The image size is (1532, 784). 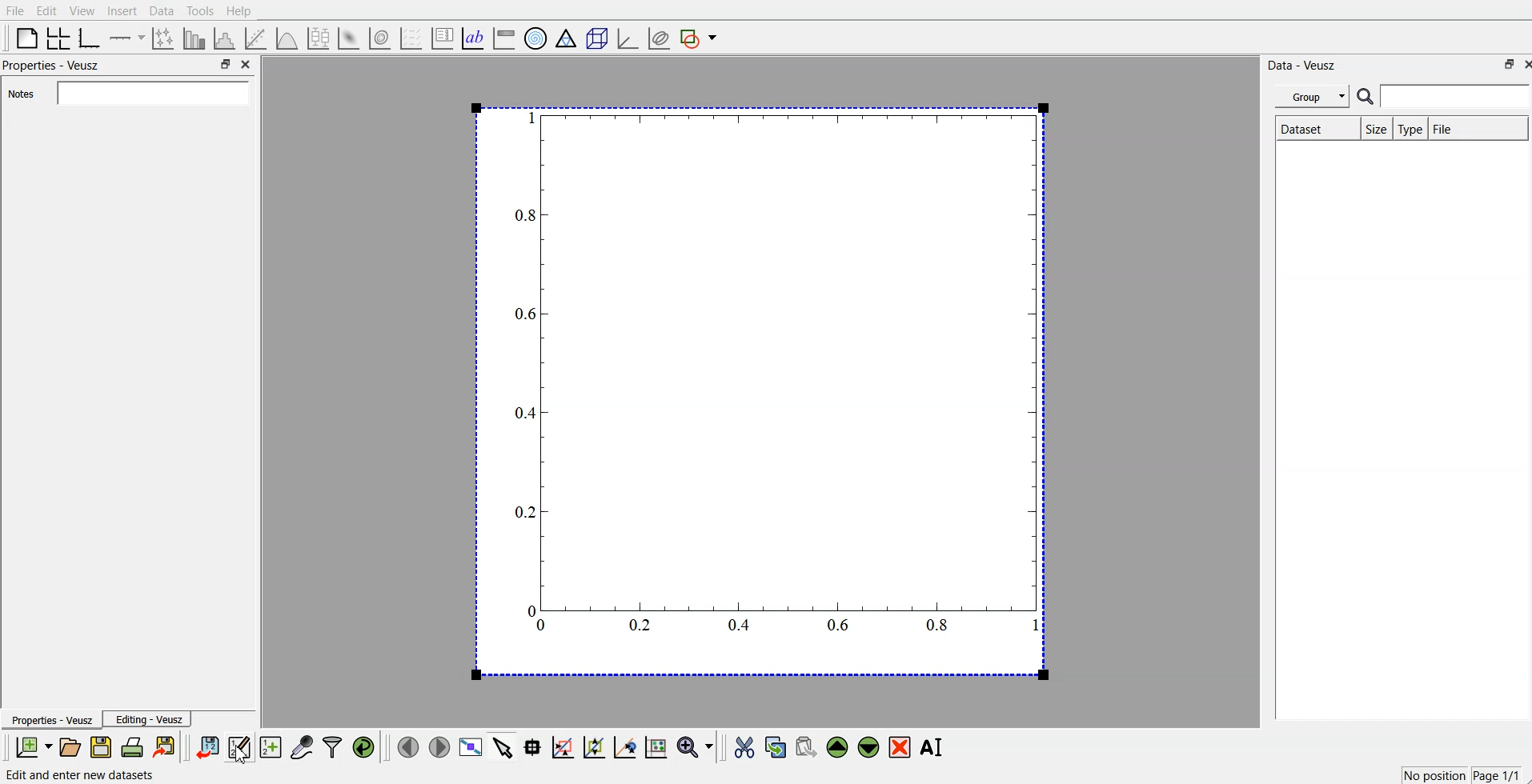 What do you see at coordinates (365, 748) in the screenshot?
I see `reload linked datas` at bounding box center [365, 748].